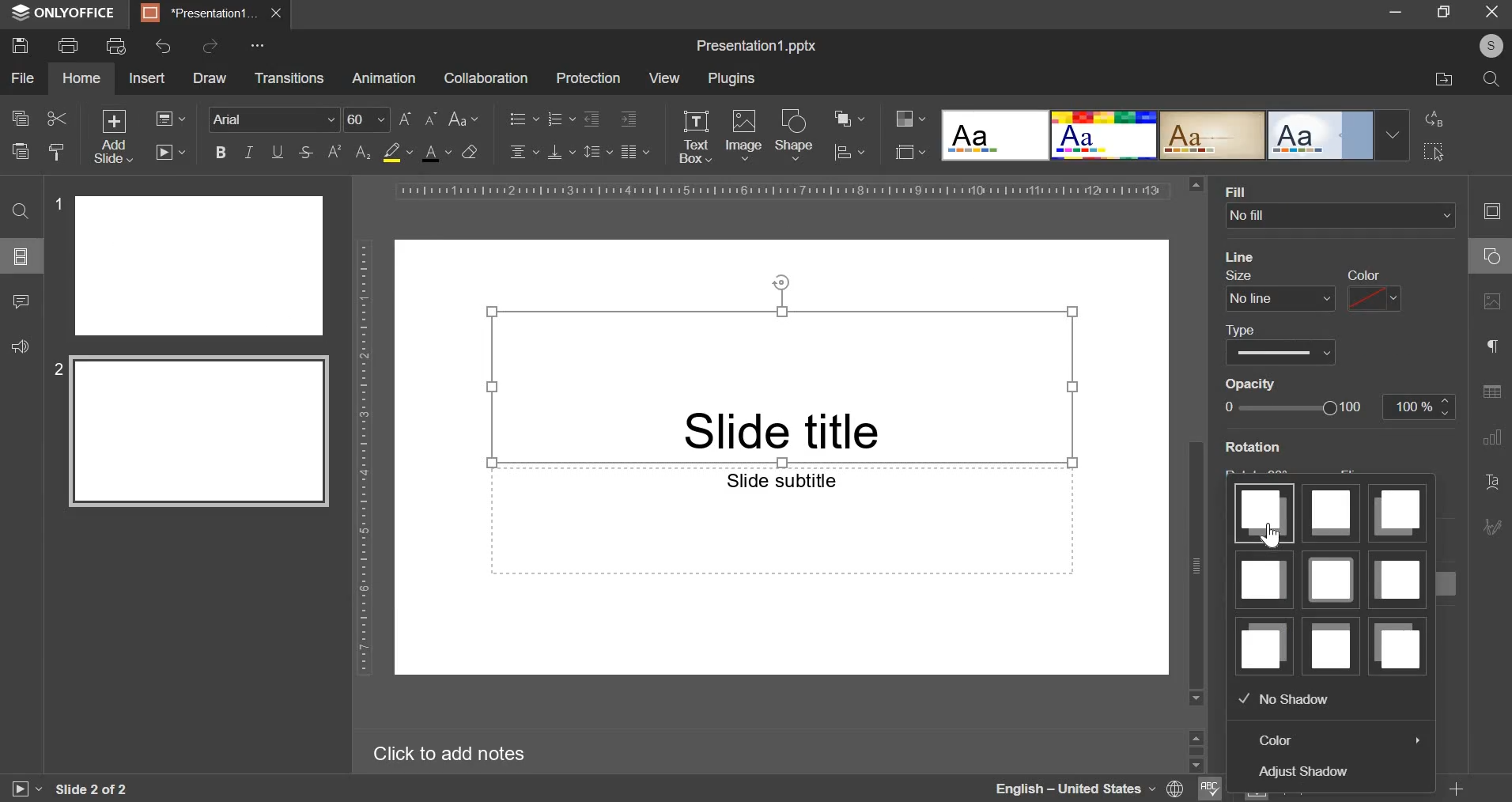 The image size is (1512, 802). What do you see at coordinates (20, 299) in the screenshot?
I see `comment` at bounding box center [20, 299].